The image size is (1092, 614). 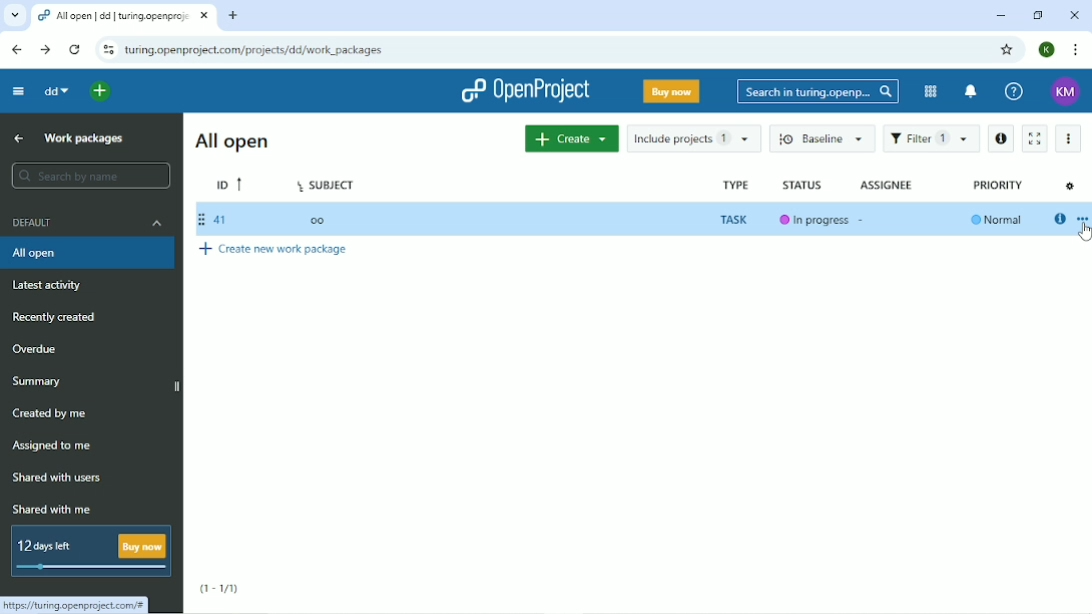 I want to click on Buy now, so click(x=672, y=91).